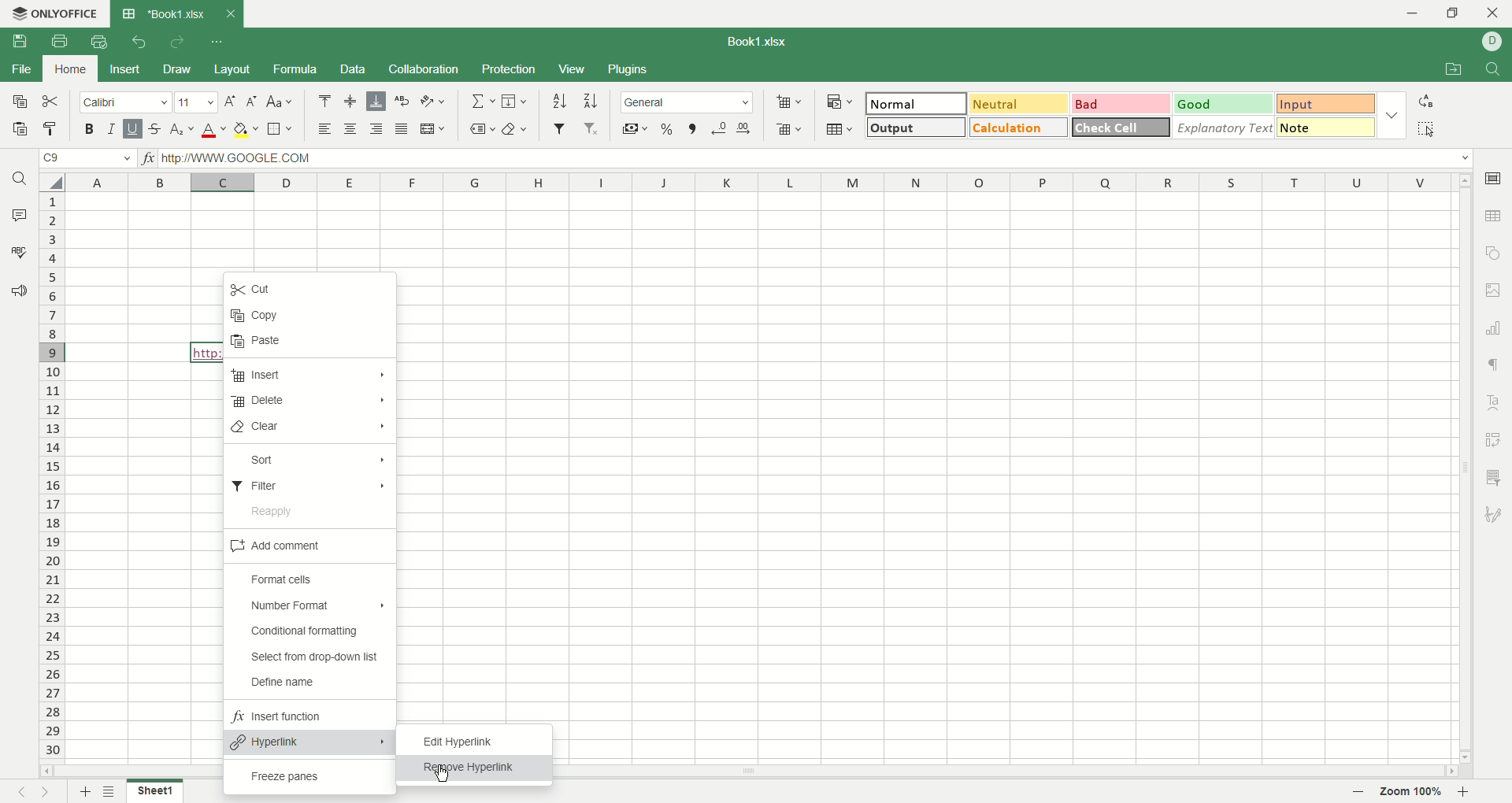 This screenshot has width=1512, height=803. What do you see at coordinates (1225, 128) in the screenshot?
I see `explanatory text ` at bounding box center [1225, 128].